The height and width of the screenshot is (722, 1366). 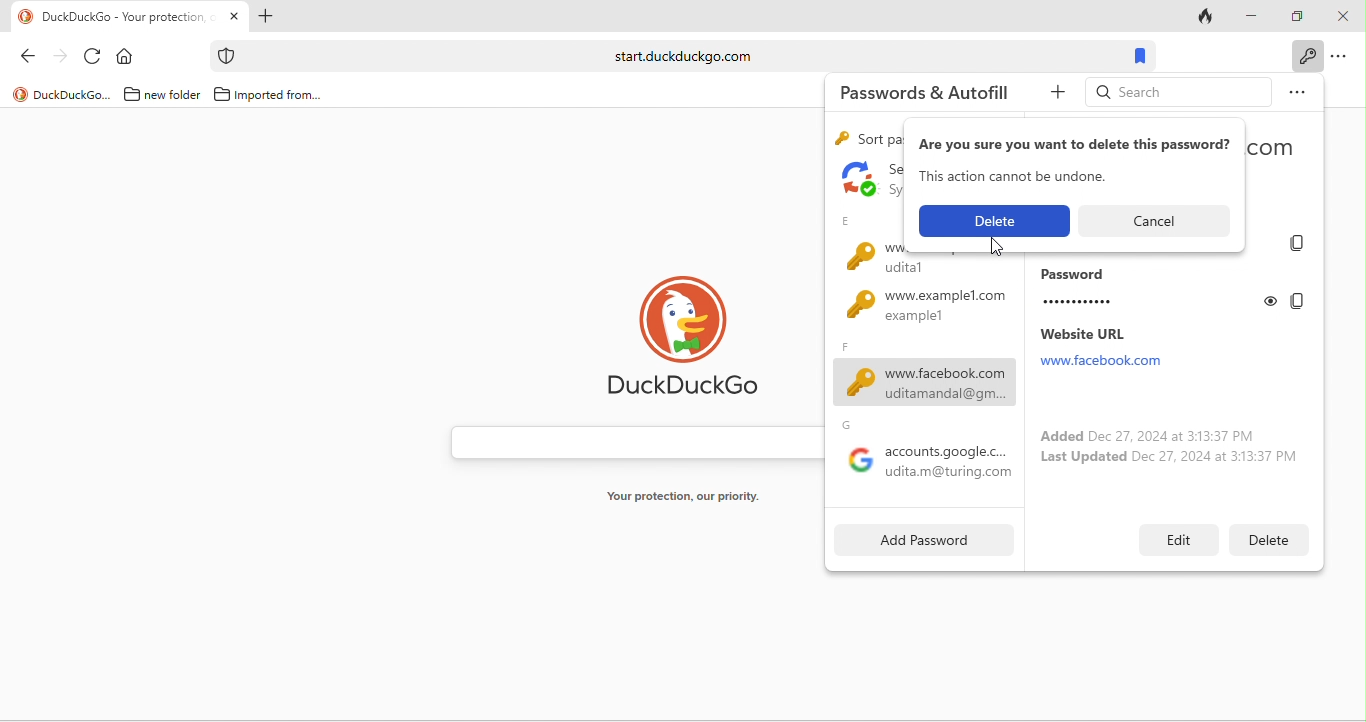 I want to click on bookmark, so click(x=1138, y=56).